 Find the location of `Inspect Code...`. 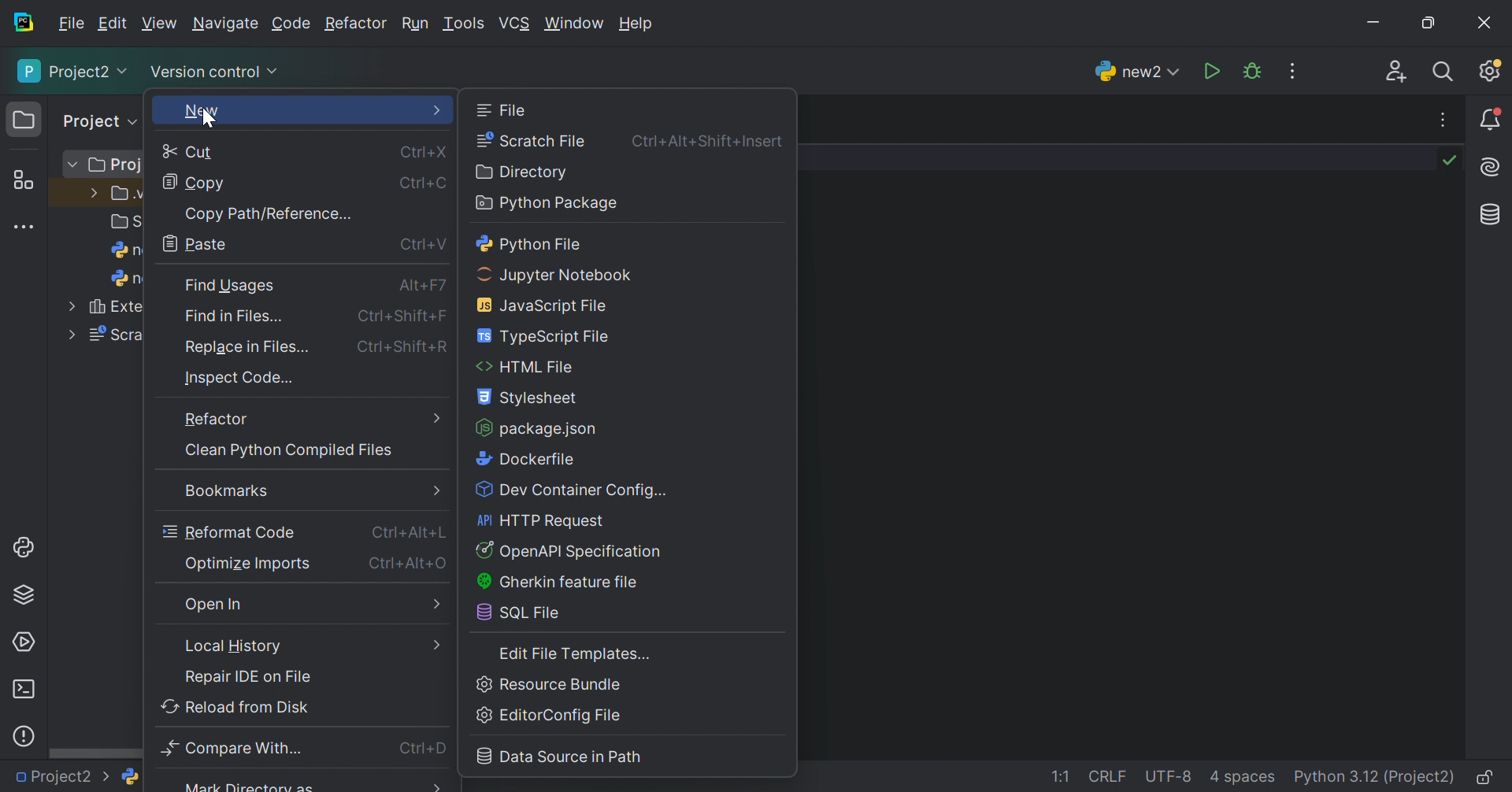

Inspect Code... is located at coordinates (243, 379).